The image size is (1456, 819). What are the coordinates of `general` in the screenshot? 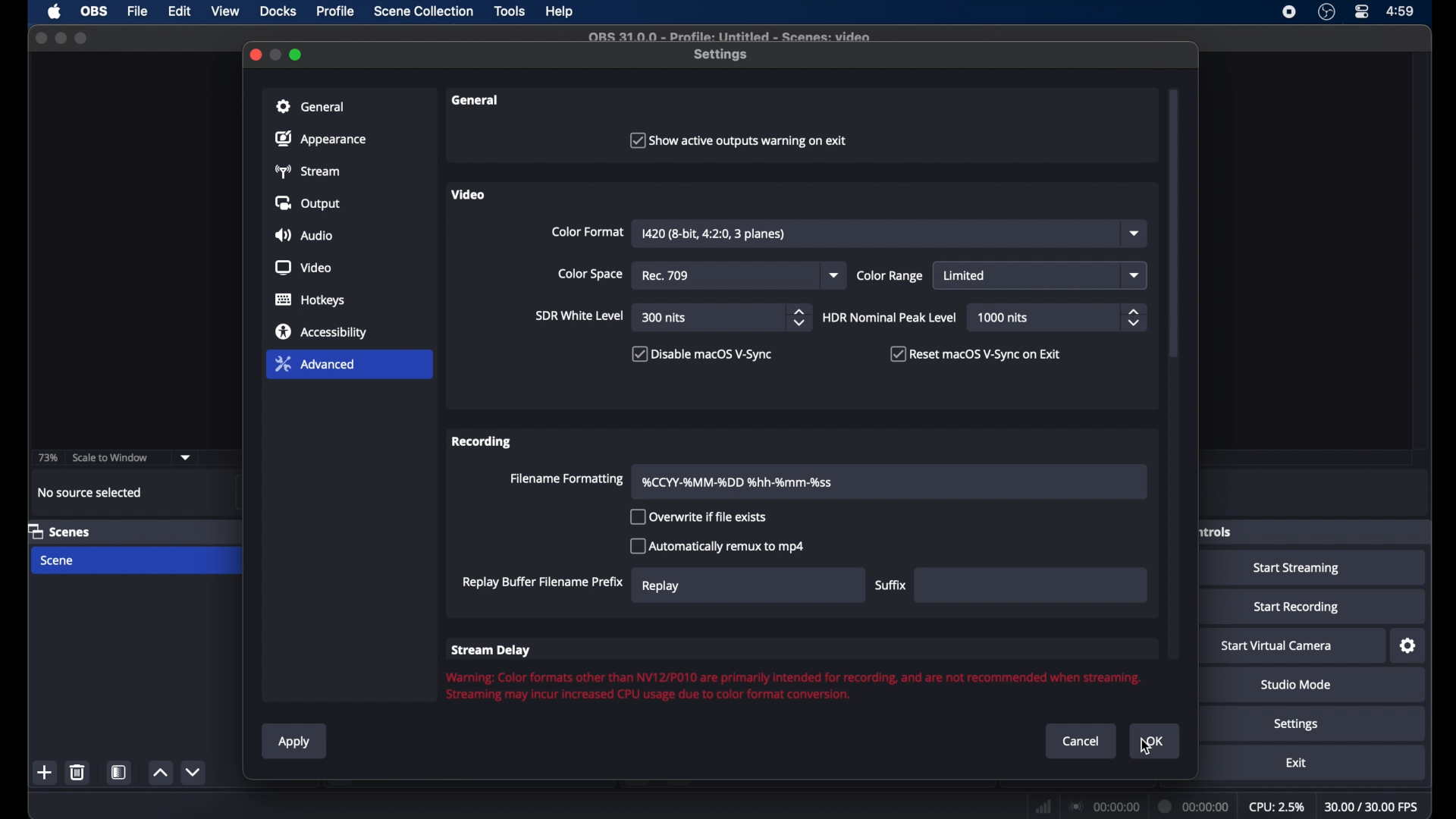 It's located at (350, 105).